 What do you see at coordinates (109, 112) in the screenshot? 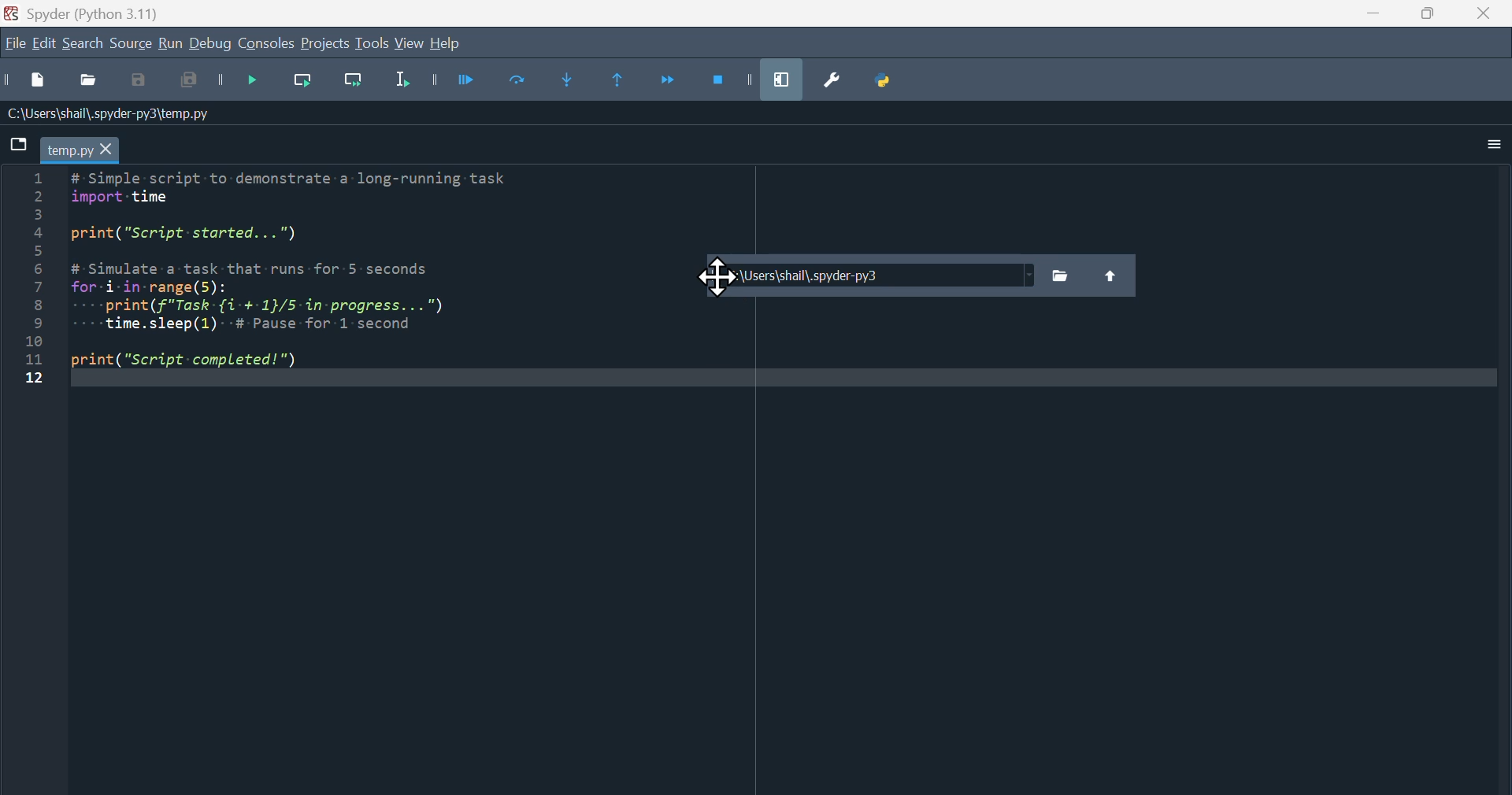
I see `Name of the file` at bounding box center [109, 112].